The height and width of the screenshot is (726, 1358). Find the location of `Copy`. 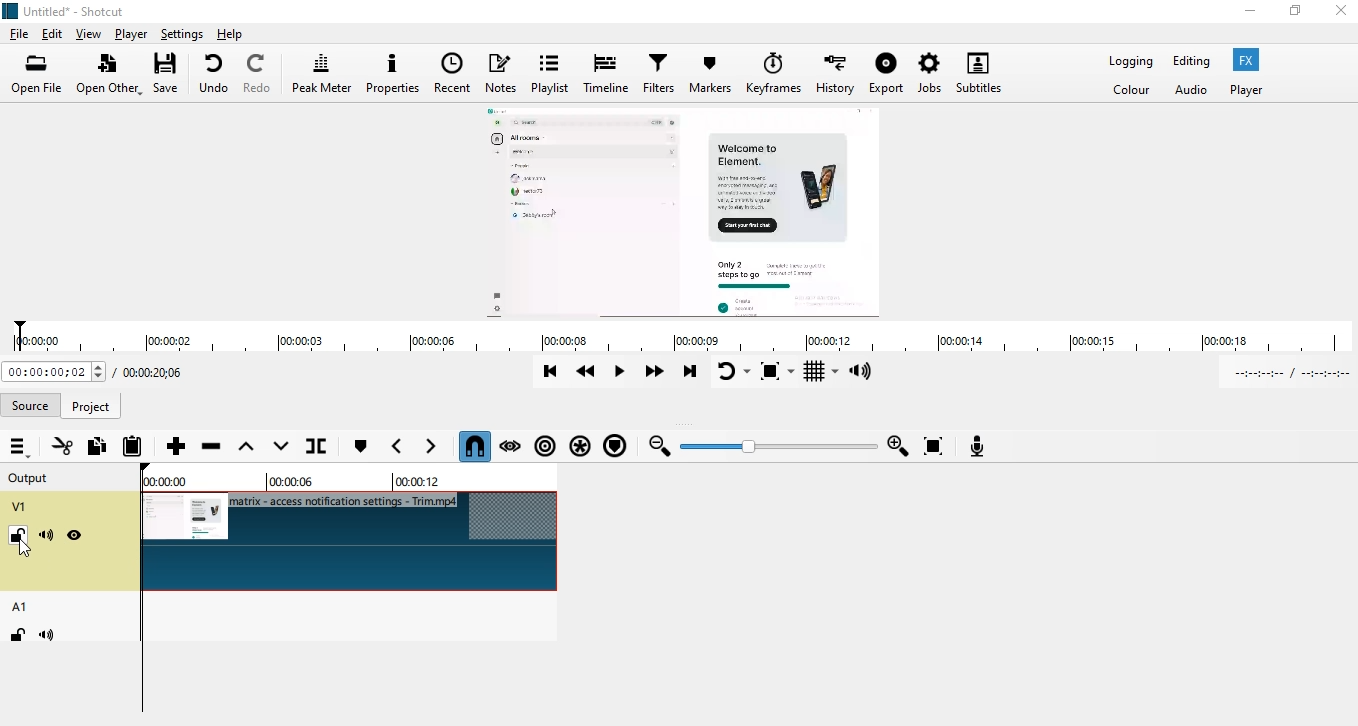

Copy is located at coordinates (96, 448).